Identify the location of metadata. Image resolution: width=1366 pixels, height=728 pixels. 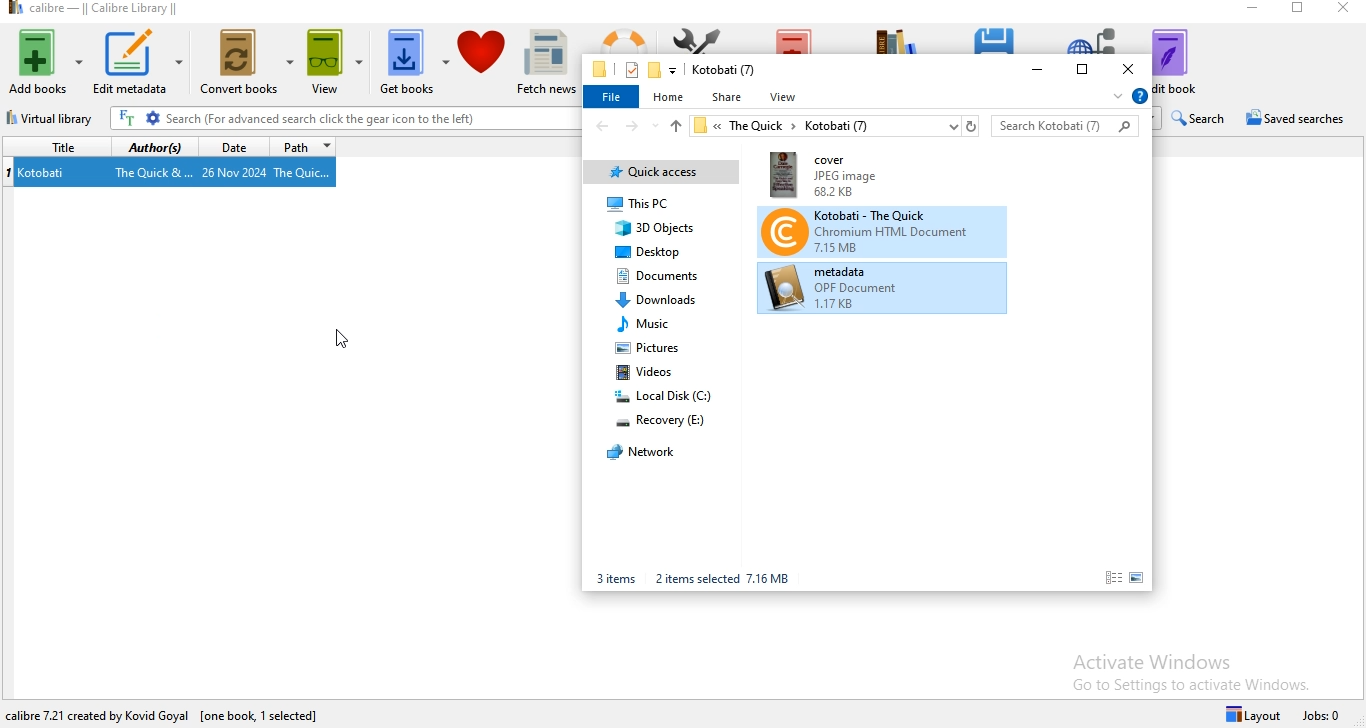
(882, 289).